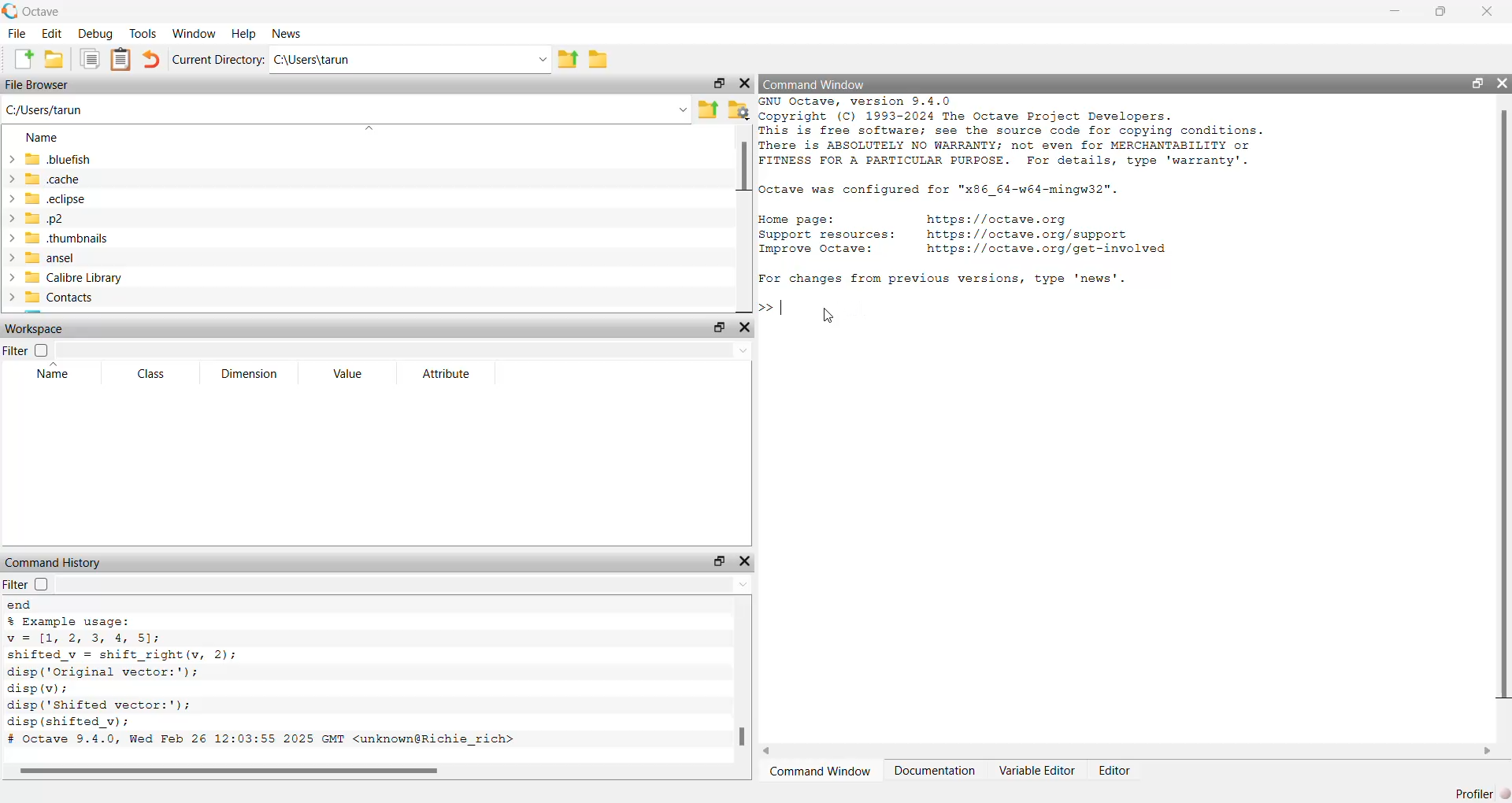 This screenshot has width=1512, height=803. What do you see at coordinates (600, 60) in the screenshot?
I see `browse directories` at bounding box center [600, 60].